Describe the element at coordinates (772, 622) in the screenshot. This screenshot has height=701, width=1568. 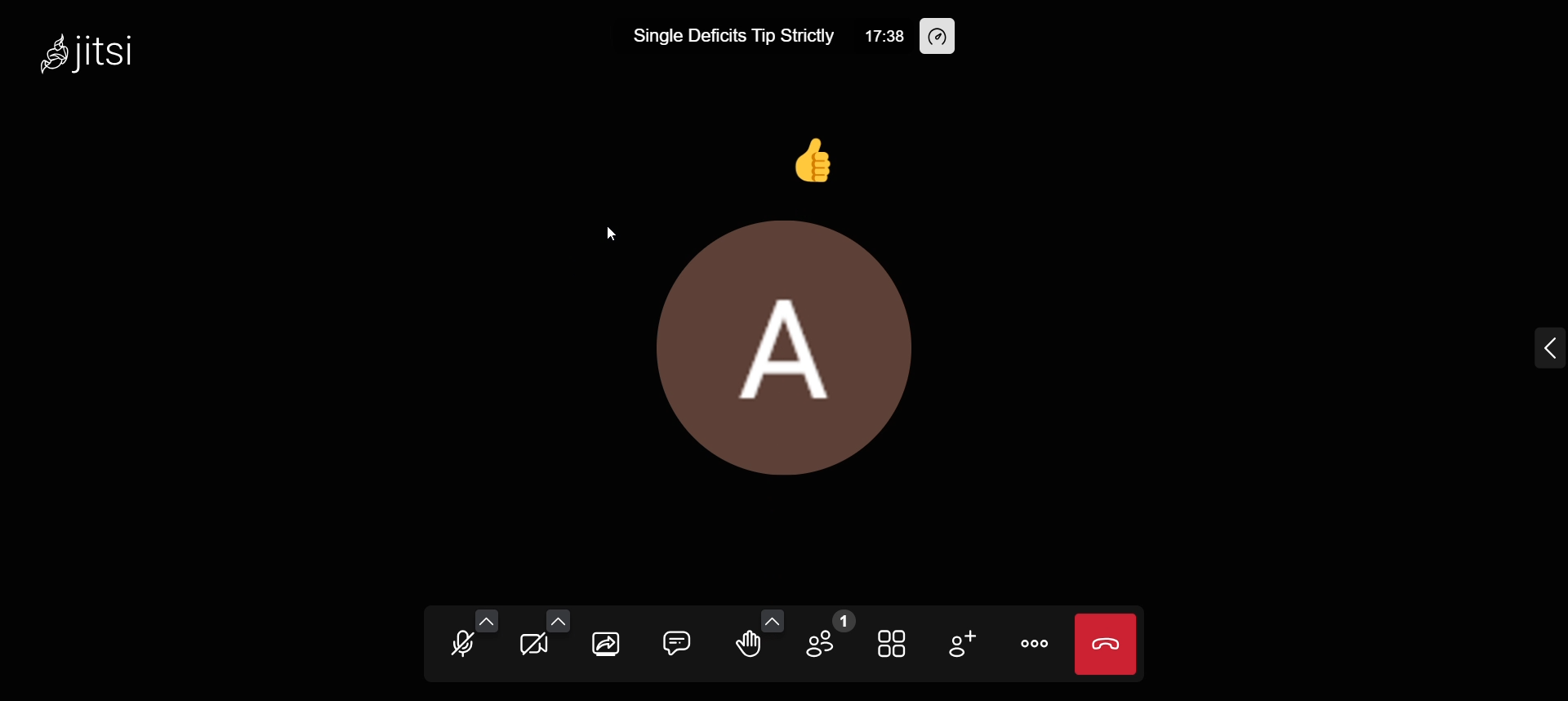
I see `more reaction option` at that location.